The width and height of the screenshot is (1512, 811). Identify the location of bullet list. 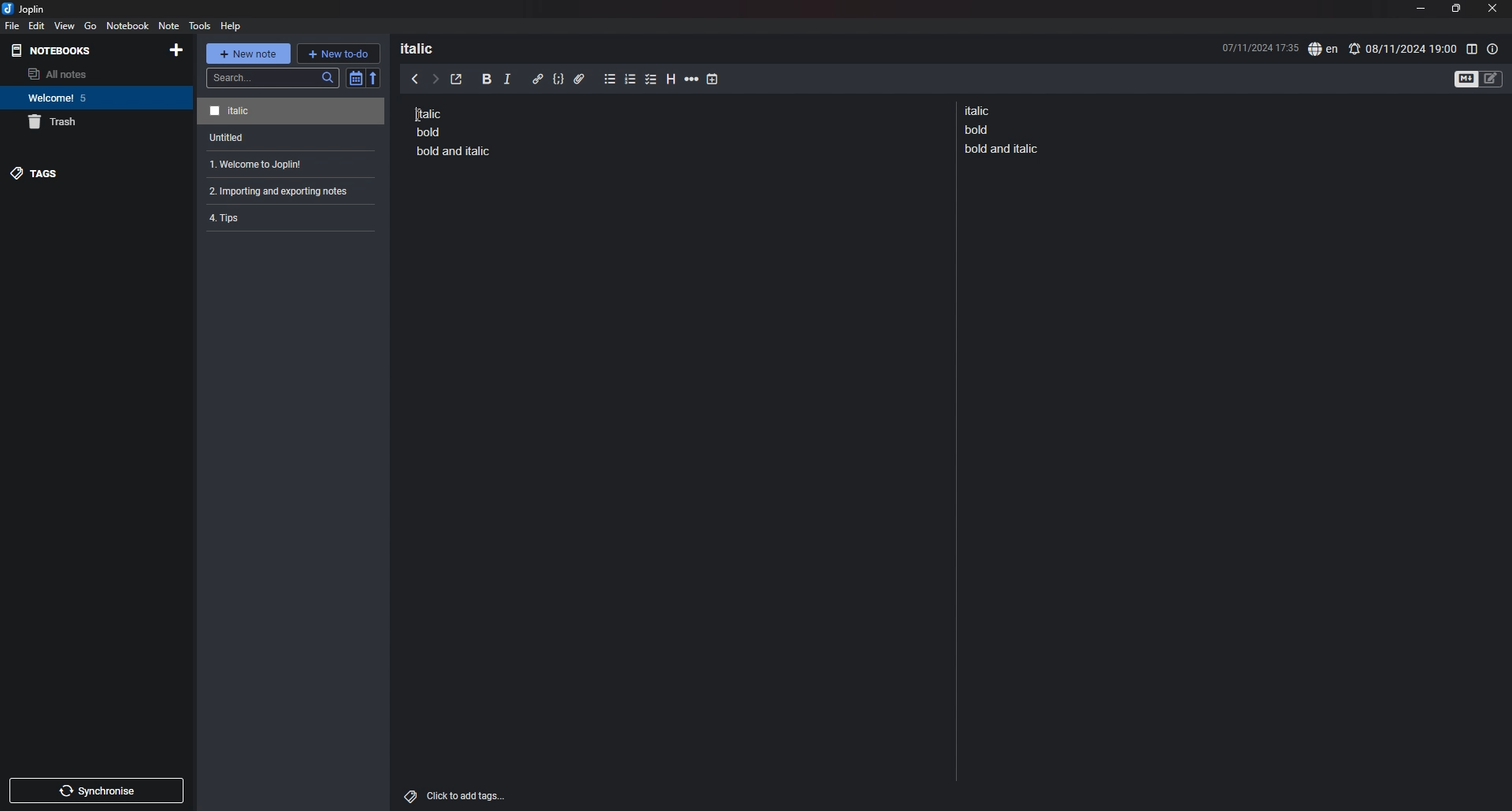
(610, 80).